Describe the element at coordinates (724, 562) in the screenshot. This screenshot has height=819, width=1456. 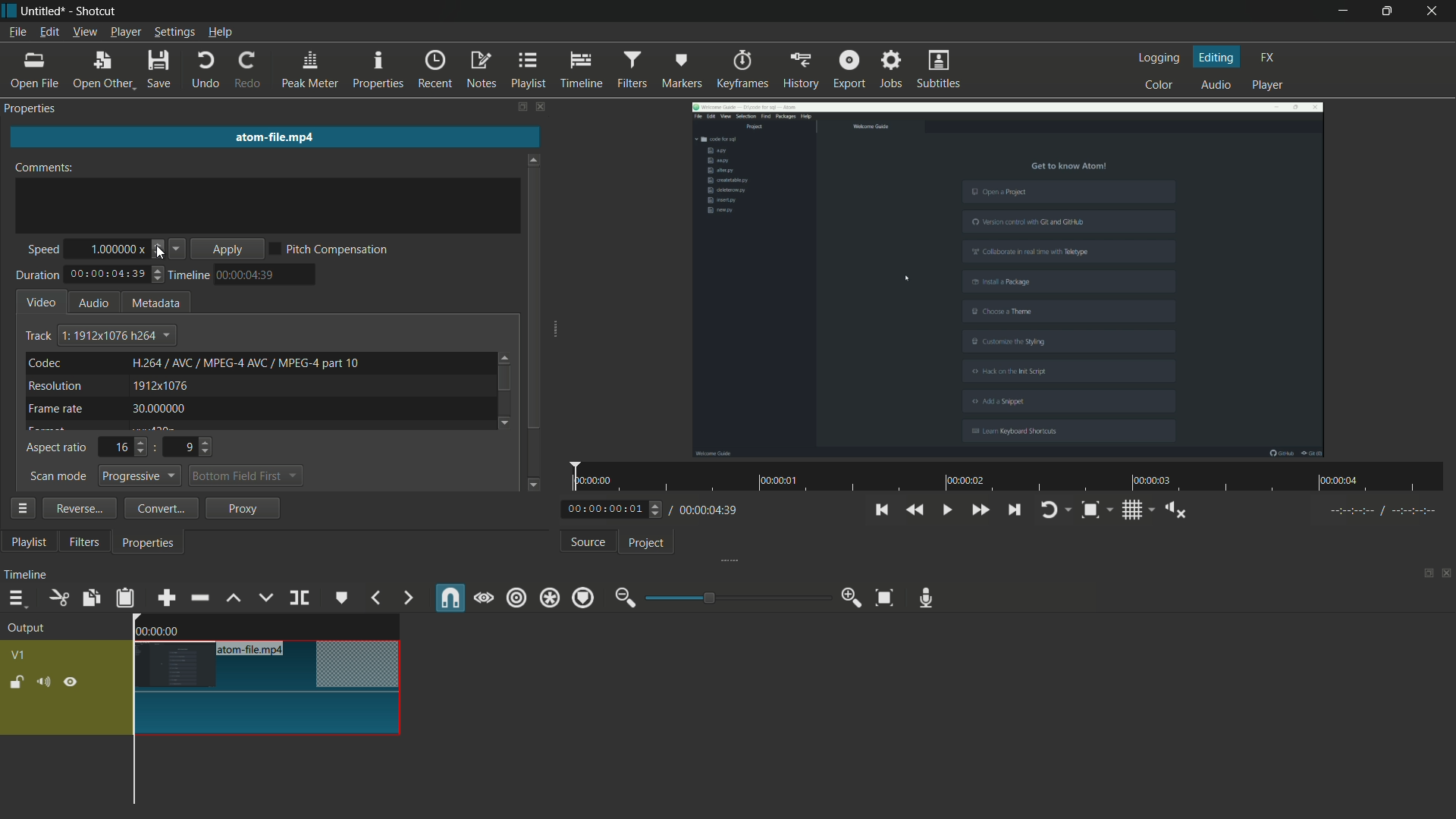
I see `expand` at that location.